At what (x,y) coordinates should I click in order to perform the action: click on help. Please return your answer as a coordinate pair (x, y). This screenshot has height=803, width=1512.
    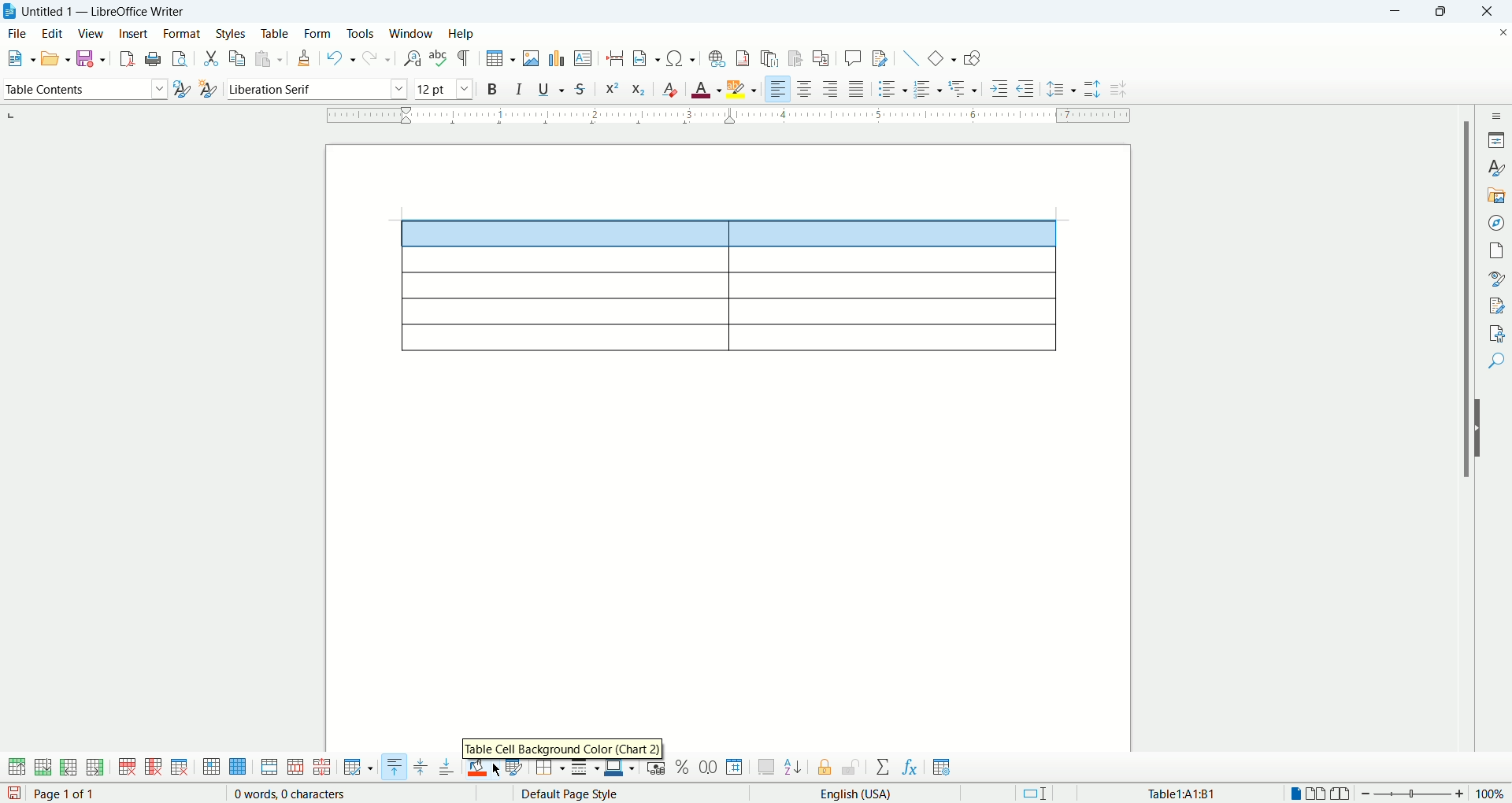
    Looking at the image, I should click on (461, 35).